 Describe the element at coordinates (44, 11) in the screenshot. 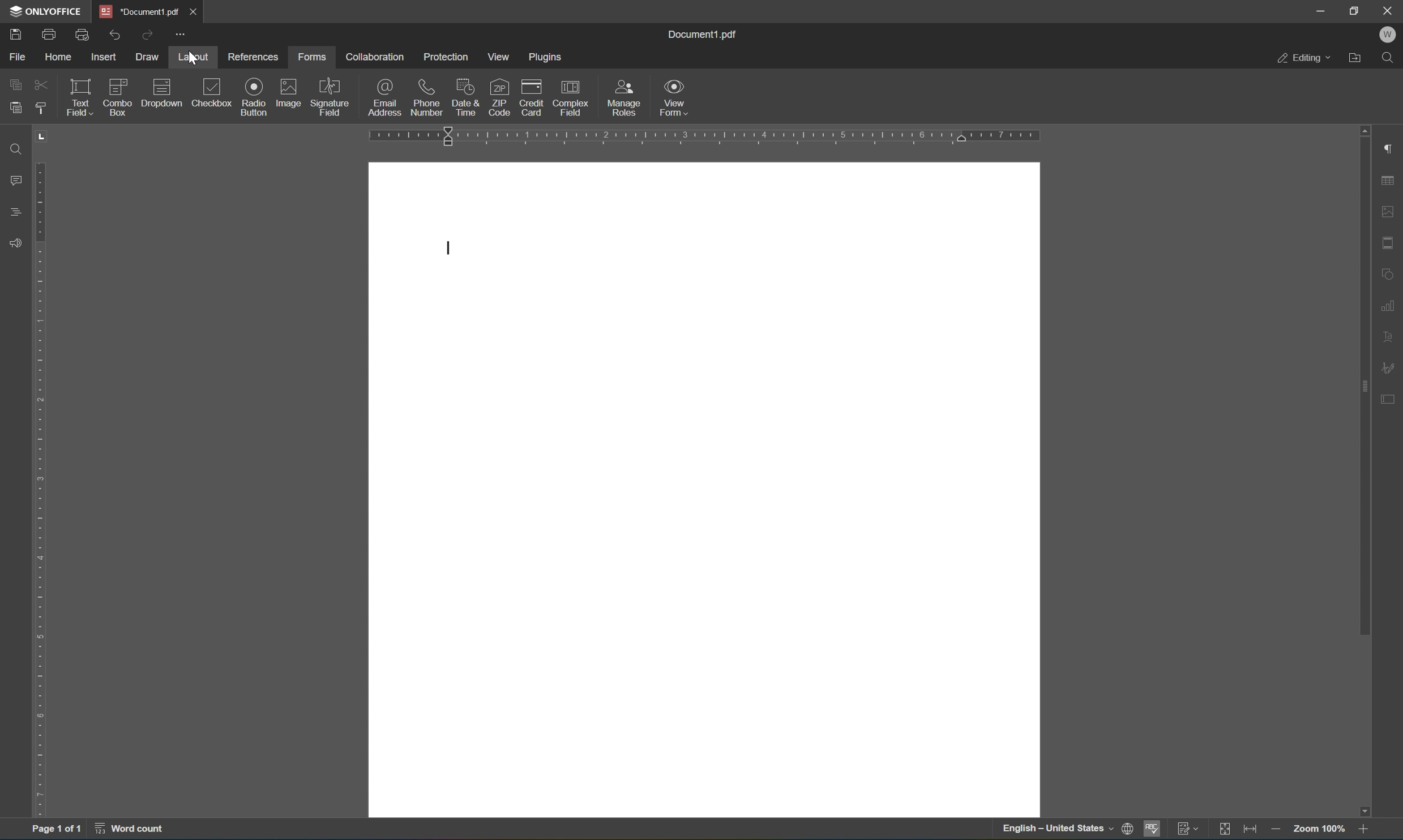

I see `ONLYOFFICE` at that location.